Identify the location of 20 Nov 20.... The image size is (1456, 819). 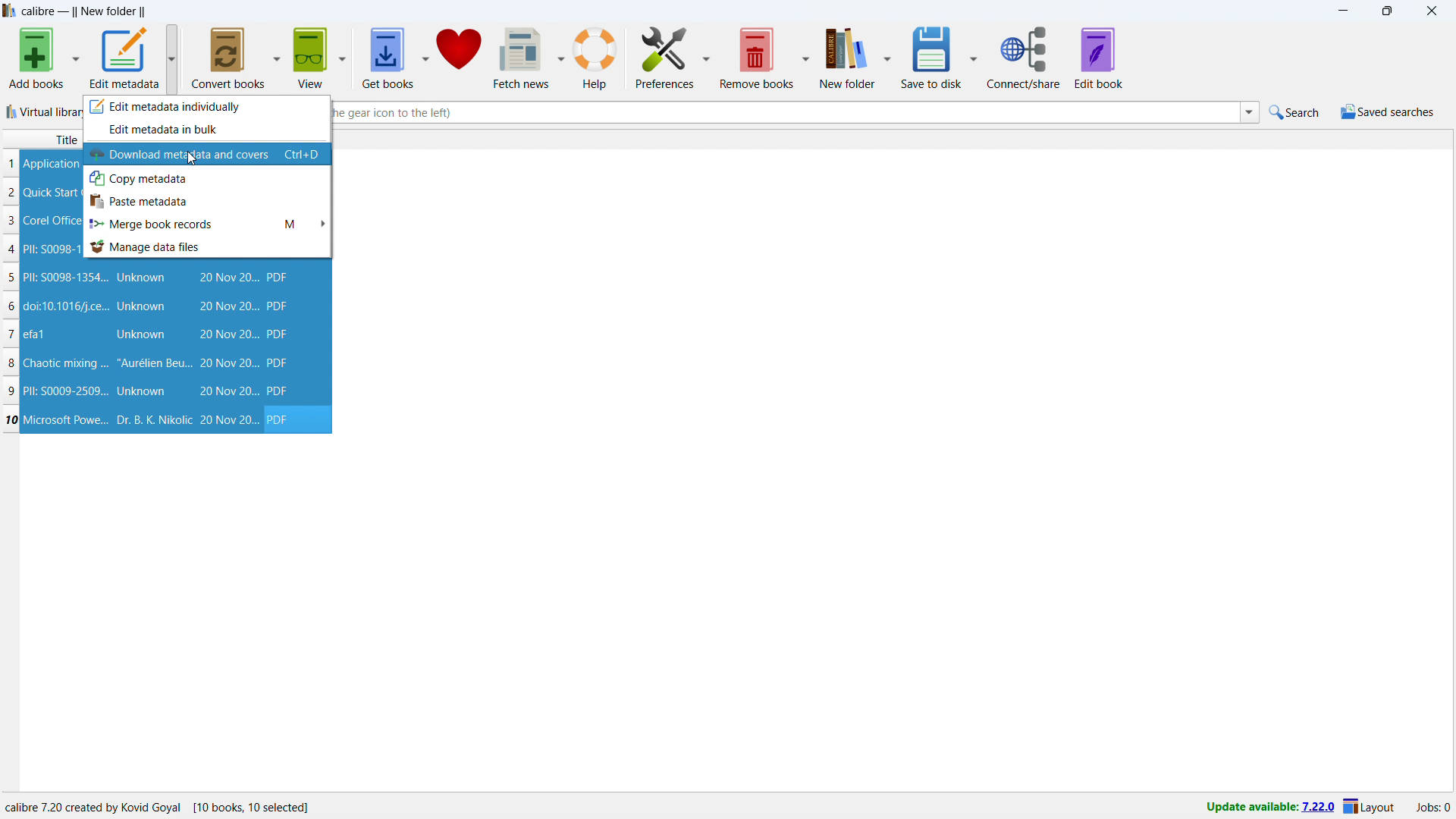
(227, 306).